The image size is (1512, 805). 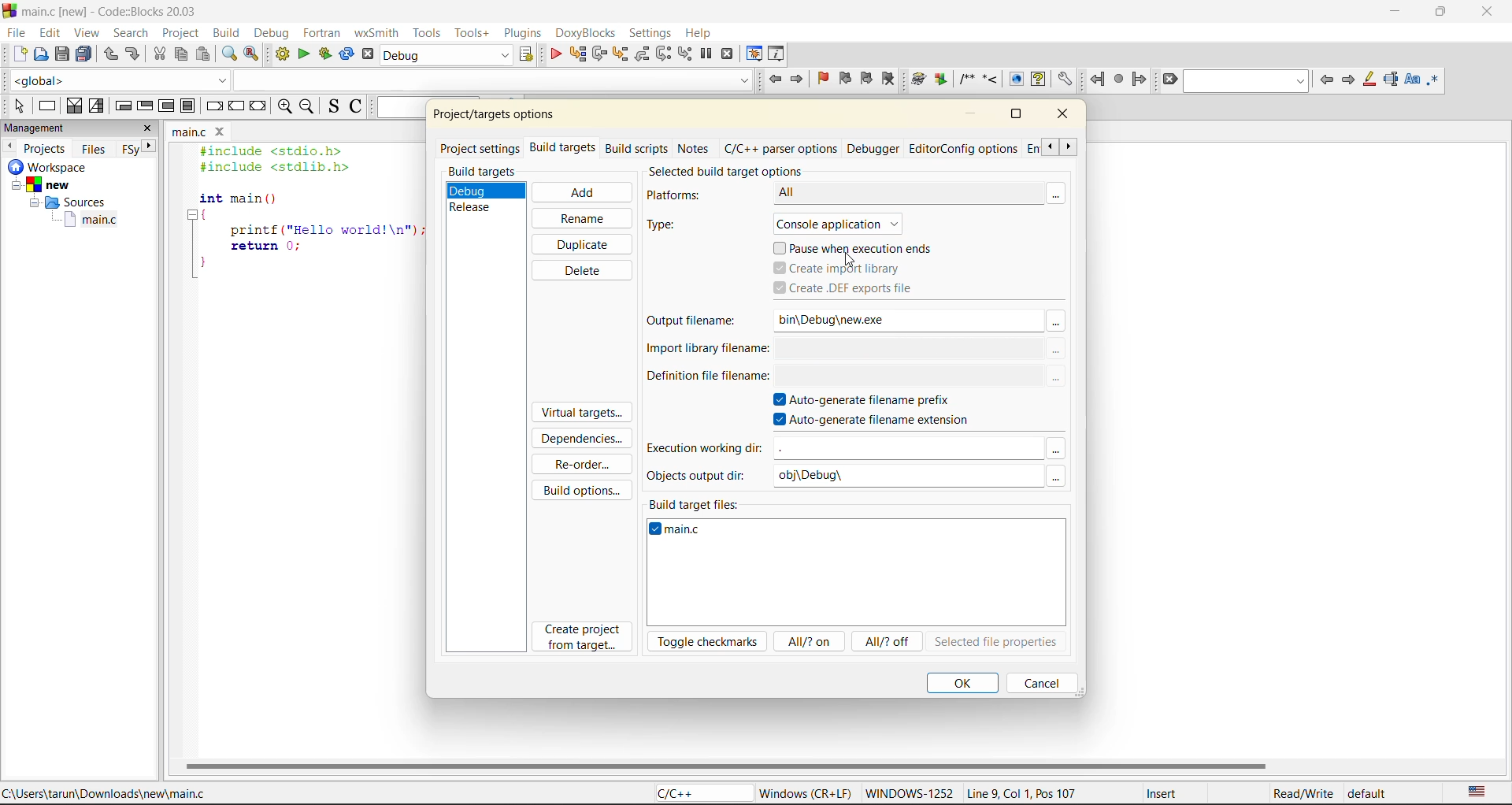 I want to click on all/?on, so click(x=807, y=640).